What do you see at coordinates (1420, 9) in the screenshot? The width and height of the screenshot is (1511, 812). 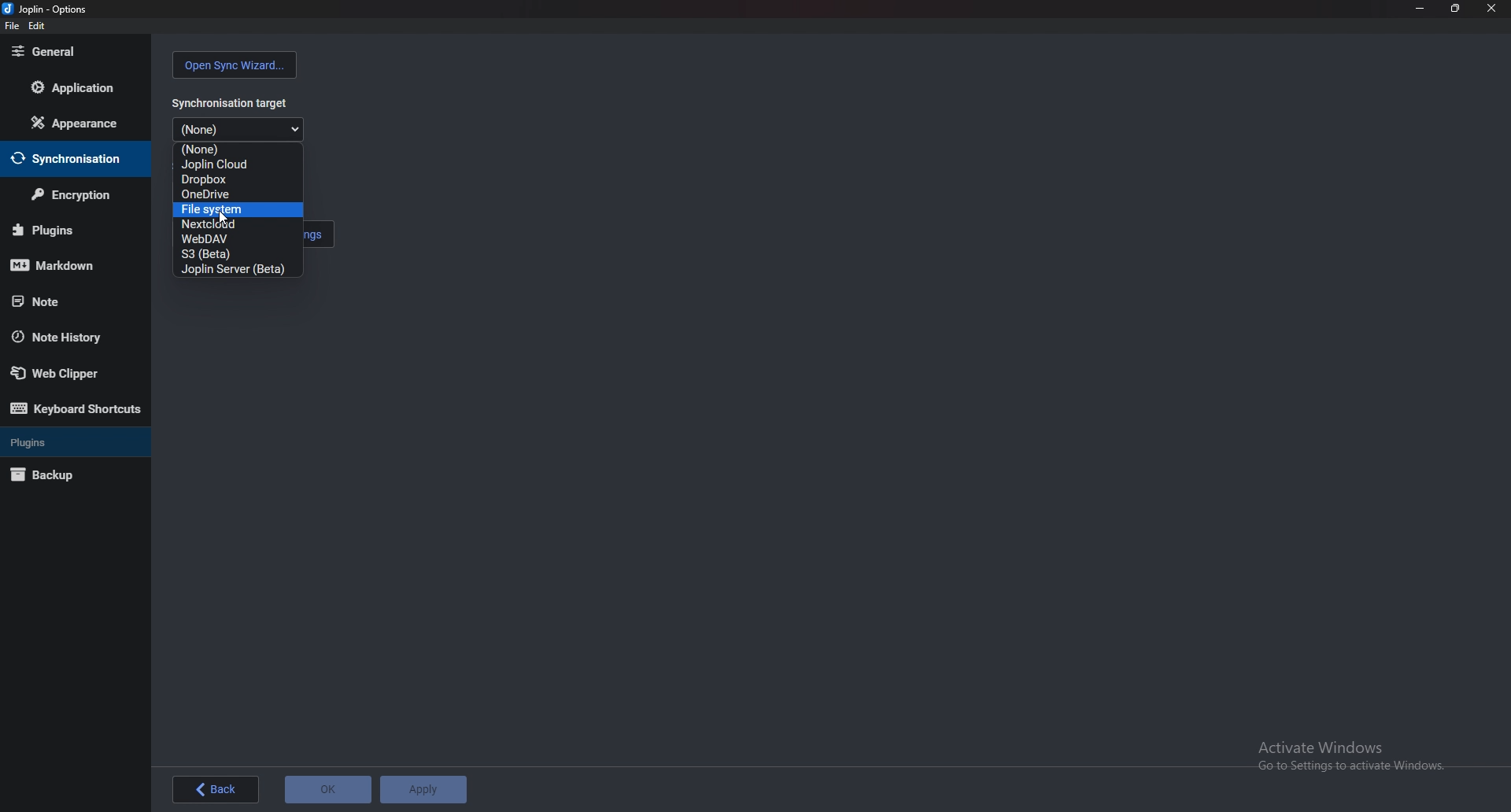 I see `Minimize` at bounding box center [1420, 9].